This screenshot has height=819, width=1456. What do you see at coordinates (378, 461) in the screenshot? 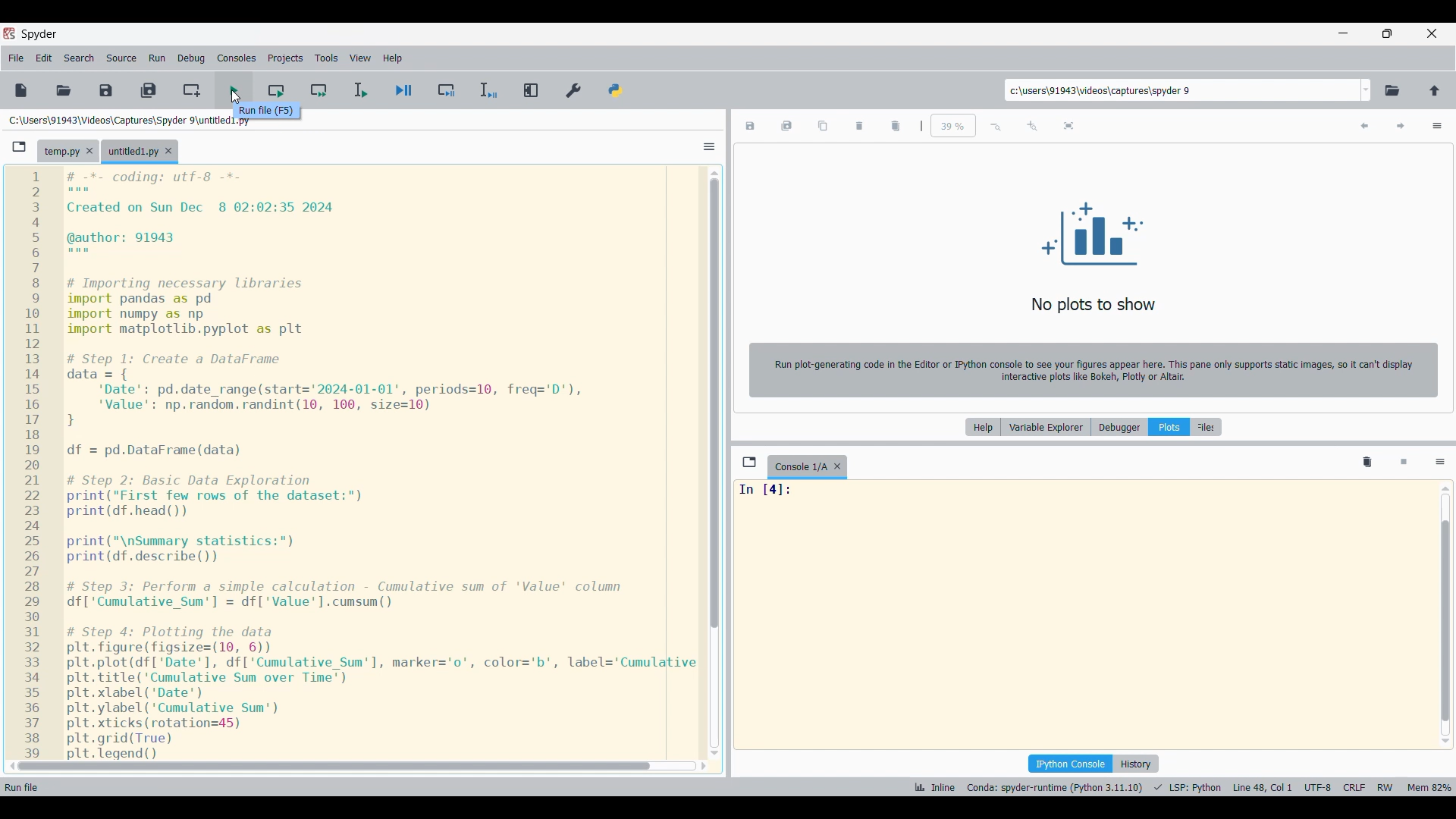
I see `# -*- coding: utf-8 -*-Created on Sun Dec 8 02:02:35 2024@author: 91943# Importing necessary librariesimport pandas as pdimport numpy as npimport matplotlib.pyplot as plt# Step 1: Create a DataFramedata = {‘Date’: pd.date_range(start='2024-01-01', periods=10, freq='D'),‘Value': np.random.randint(10, 100, size=10)}df = pd.DataFrame (data)# Step 2: Basic Data Explorationprint(“First few rows of the dataset:")print(df.head())print("\nSummary statistics:")print (df.describe())# Step 3: Perform a simple calculation - Cumulative sum of 'Value' columndf['Cumulative_Sum'] = df['Value'].cumsum()# Step 4: Plotting the dataplt.figure(figsize=(10, 6))plt.plot(df['Date'], df['Cumulative Sum'], marker='o', color='b', label='Cumulativeplt.title('Cumulative Sum over Time')plt.xlabel('Date’)plt.ylabel('Cumulative Sum')plt.xticks(rotation=45)plt.grid(True)plt legend()` at bounding box center [378, 461].